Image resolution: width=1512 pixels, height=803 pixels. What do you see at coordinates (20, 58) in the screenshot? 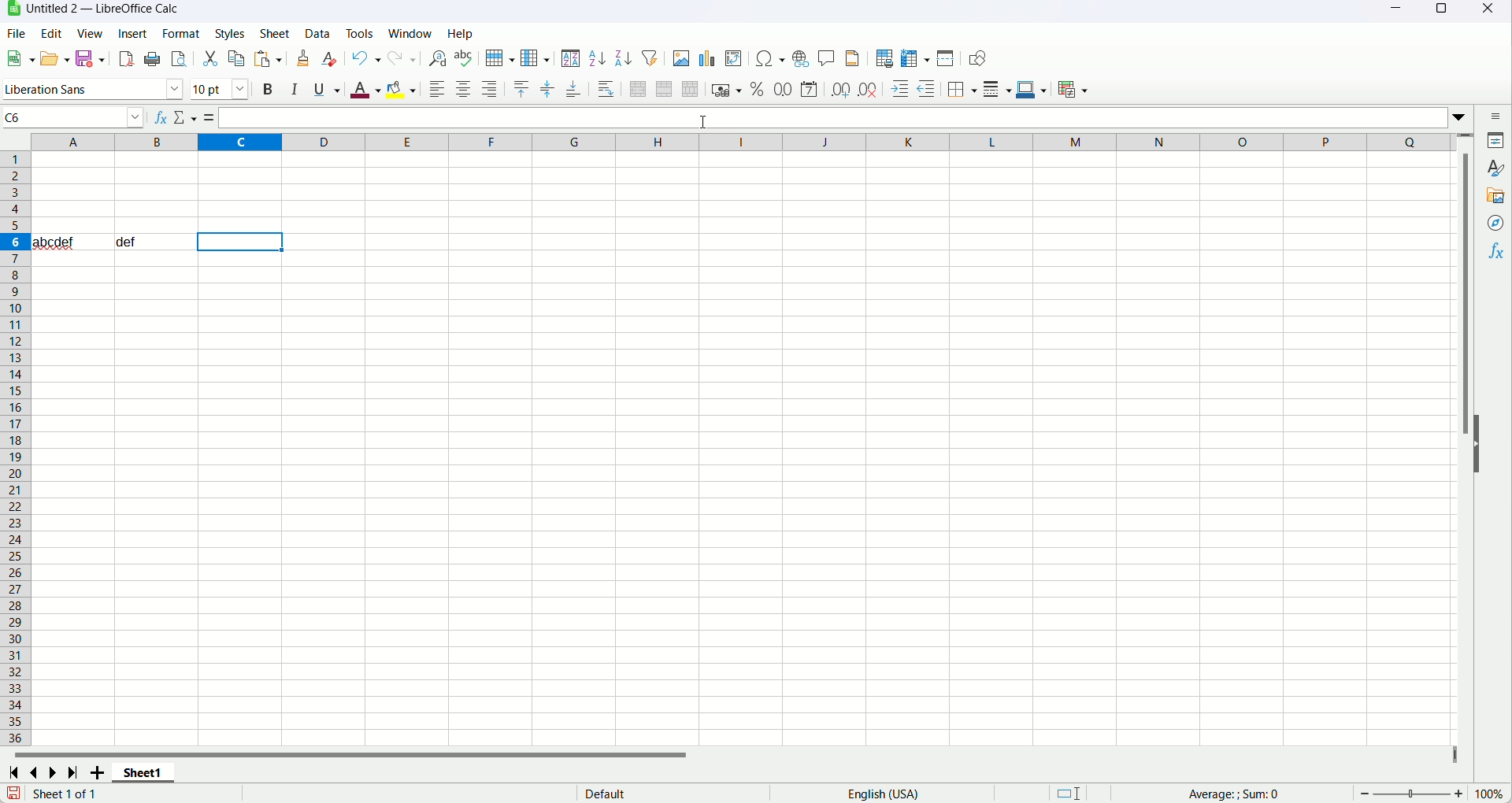
I see `open` at bounding box center [20, 58].